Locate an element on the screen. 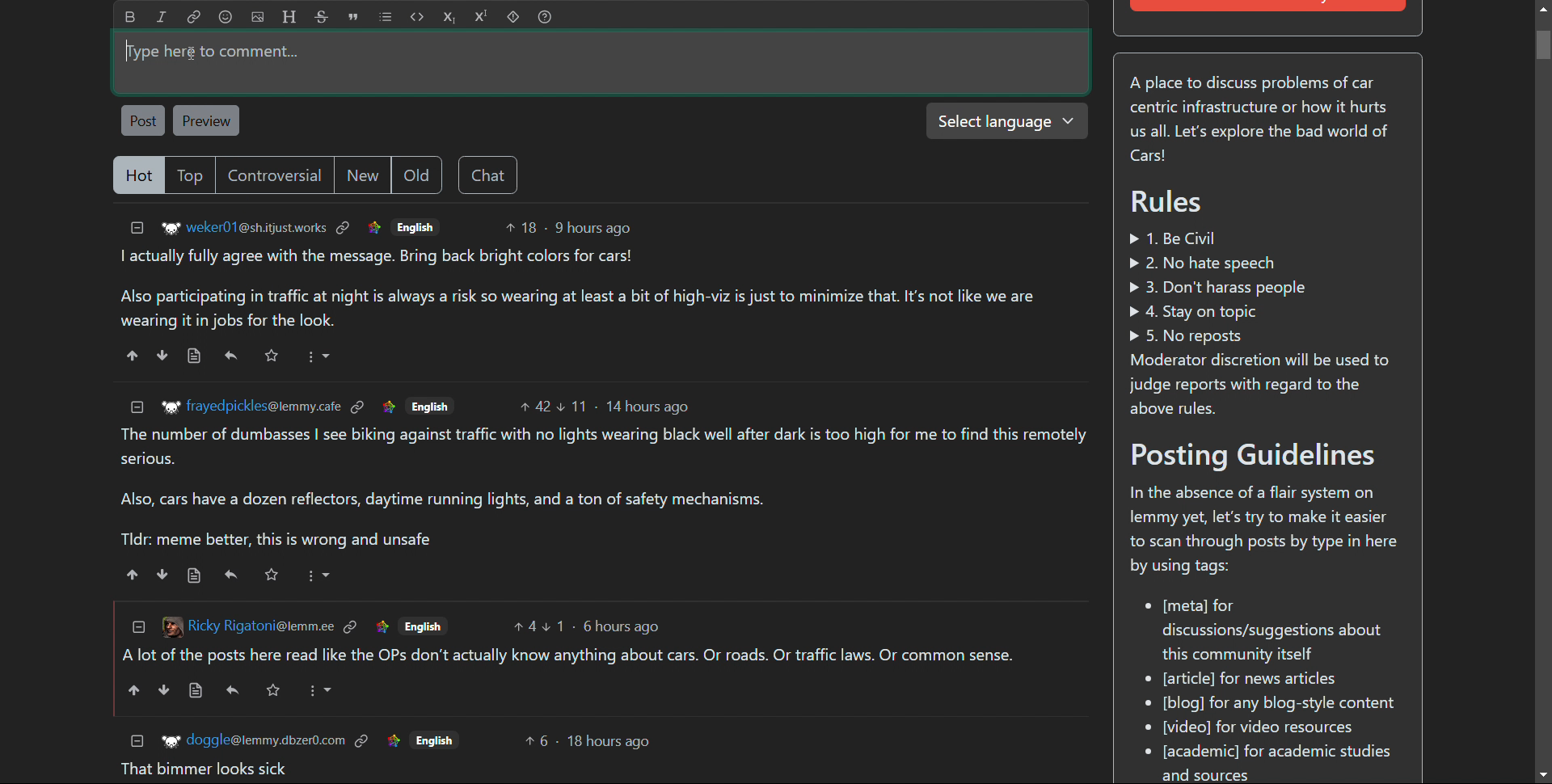 This screenshot has width=1552, height=784. English is located at coordinates (415, 226).